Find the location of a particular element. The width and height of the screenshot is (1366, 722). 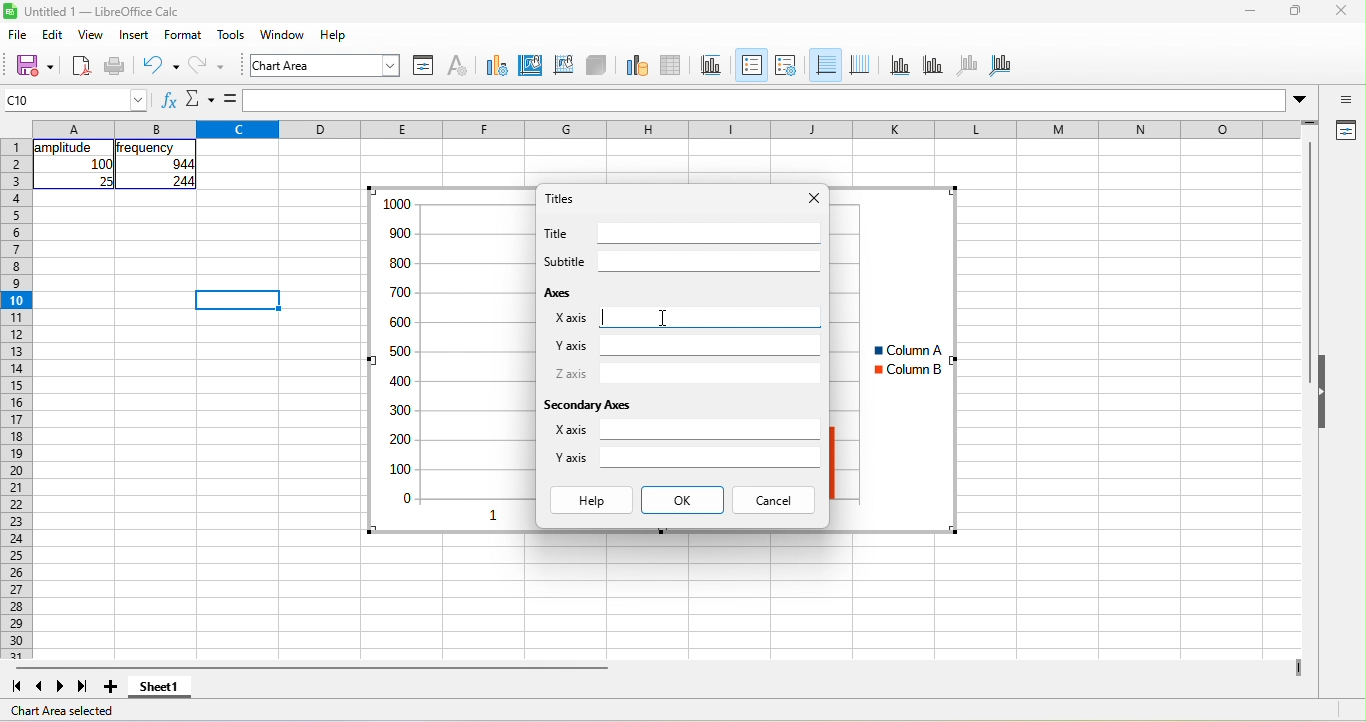

chart type is located at coordinates (497, 66).